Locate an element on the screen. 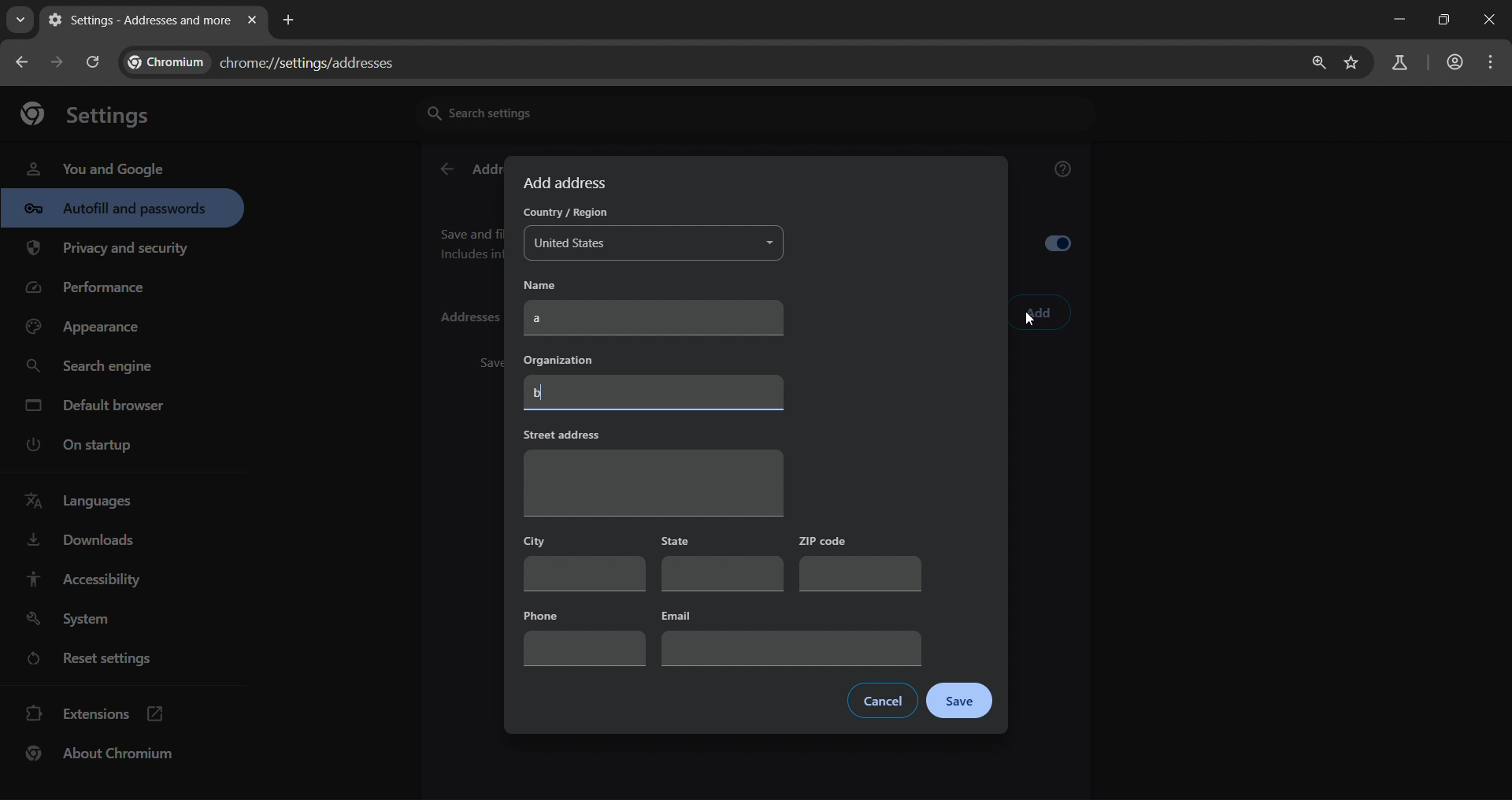 This screenshot has height=800, width=1512. autofill & passwords is located at coordinates (122, 208).